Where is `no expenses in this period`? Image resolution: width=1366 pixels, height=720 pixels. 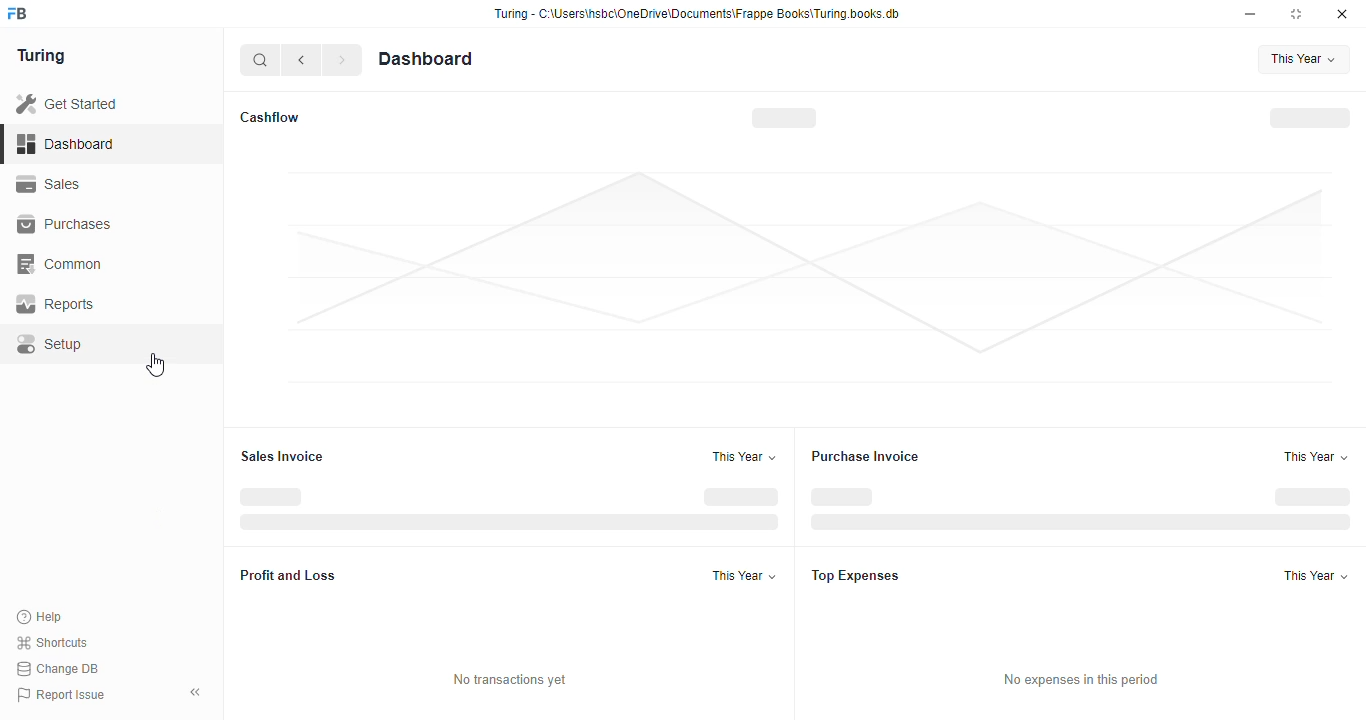
no expenses in this period is located at coordinates (1081, 679).